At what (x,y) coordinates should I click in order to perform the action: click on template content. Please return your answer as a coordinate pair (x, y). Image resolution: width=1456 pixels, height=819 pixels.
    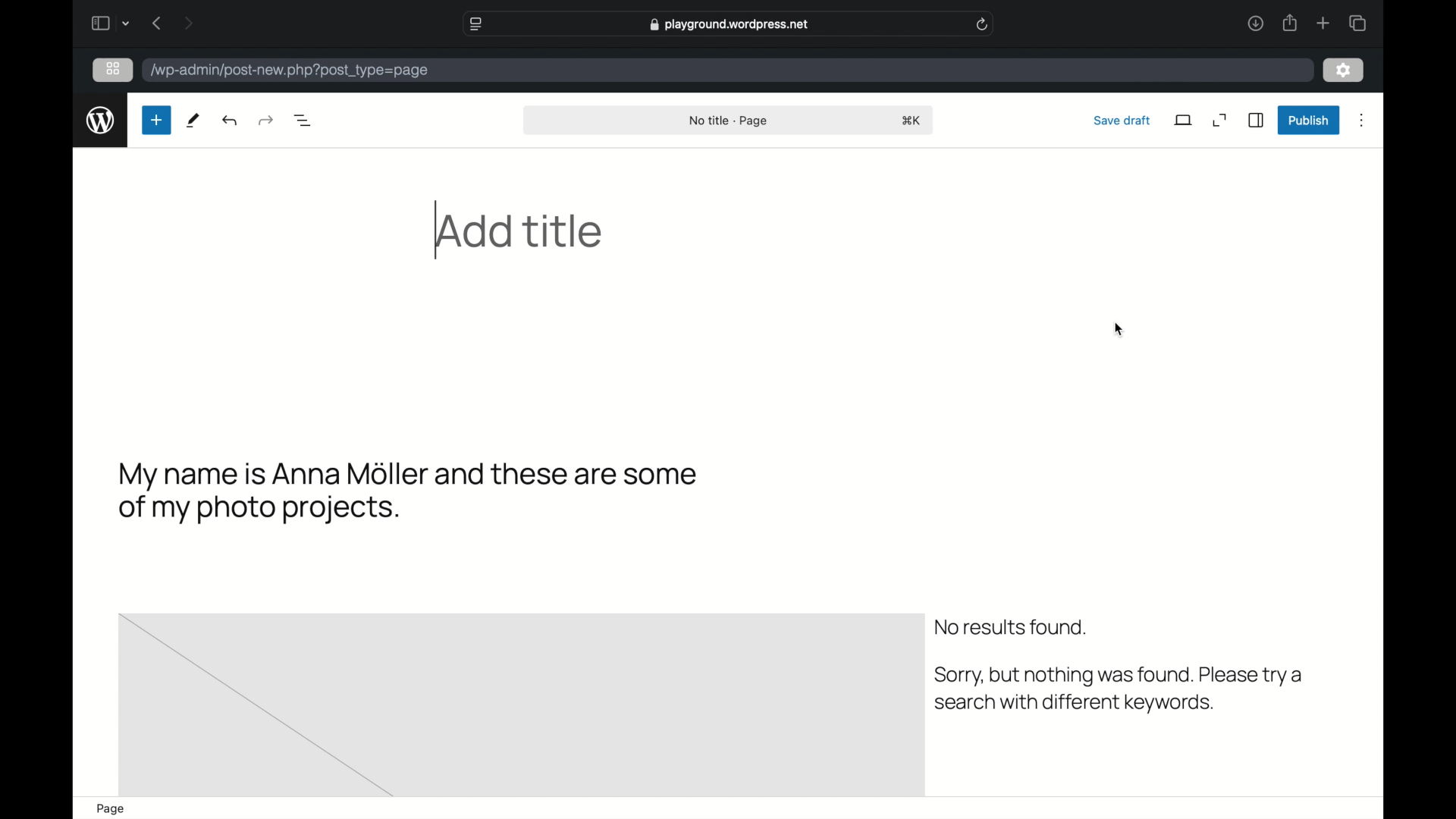
    Looking at the image, I should click on (1010, 629).